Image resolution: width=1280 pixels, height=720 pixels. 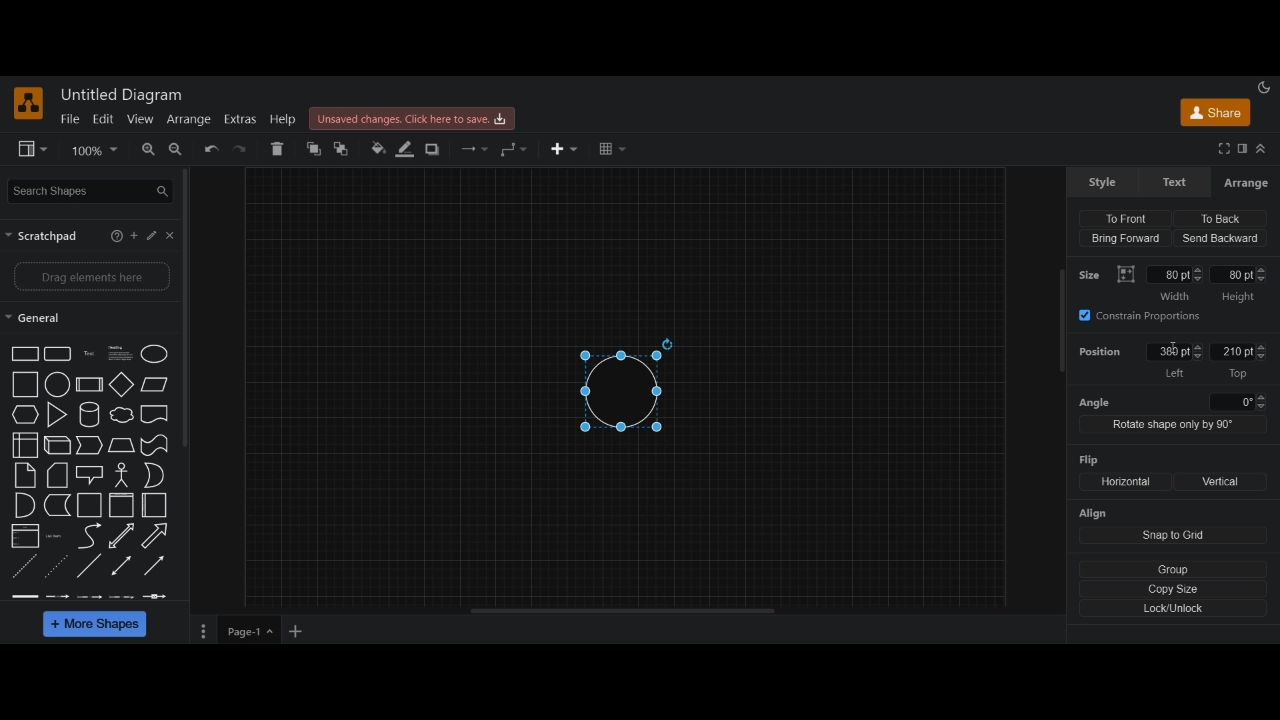 What do you see at coordinates (201, 633) in the screenshot?
I see `pages` at bounding box center [201, 633].